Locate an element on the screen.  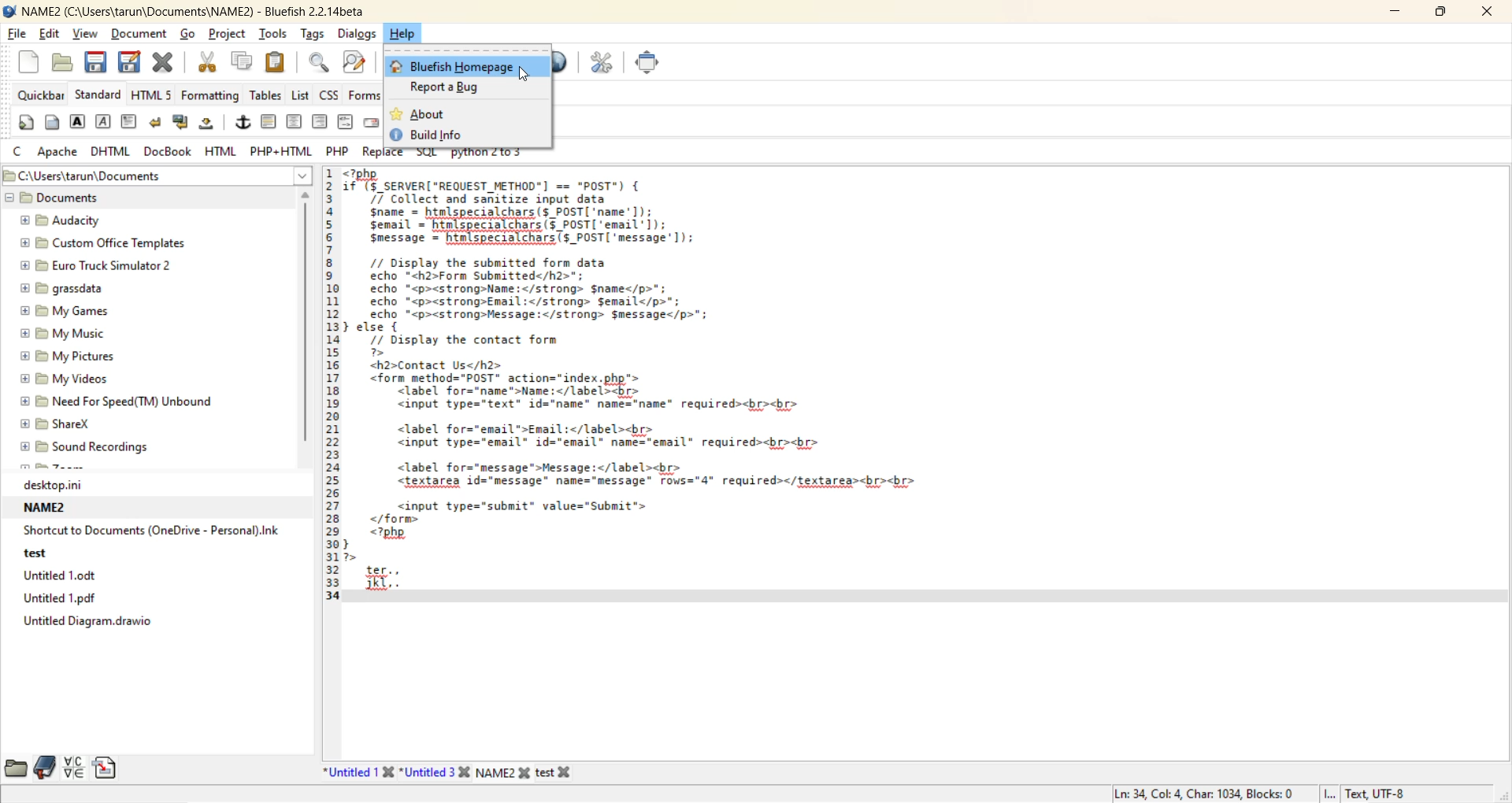
NAME2 is located at coordinates (42, 508).